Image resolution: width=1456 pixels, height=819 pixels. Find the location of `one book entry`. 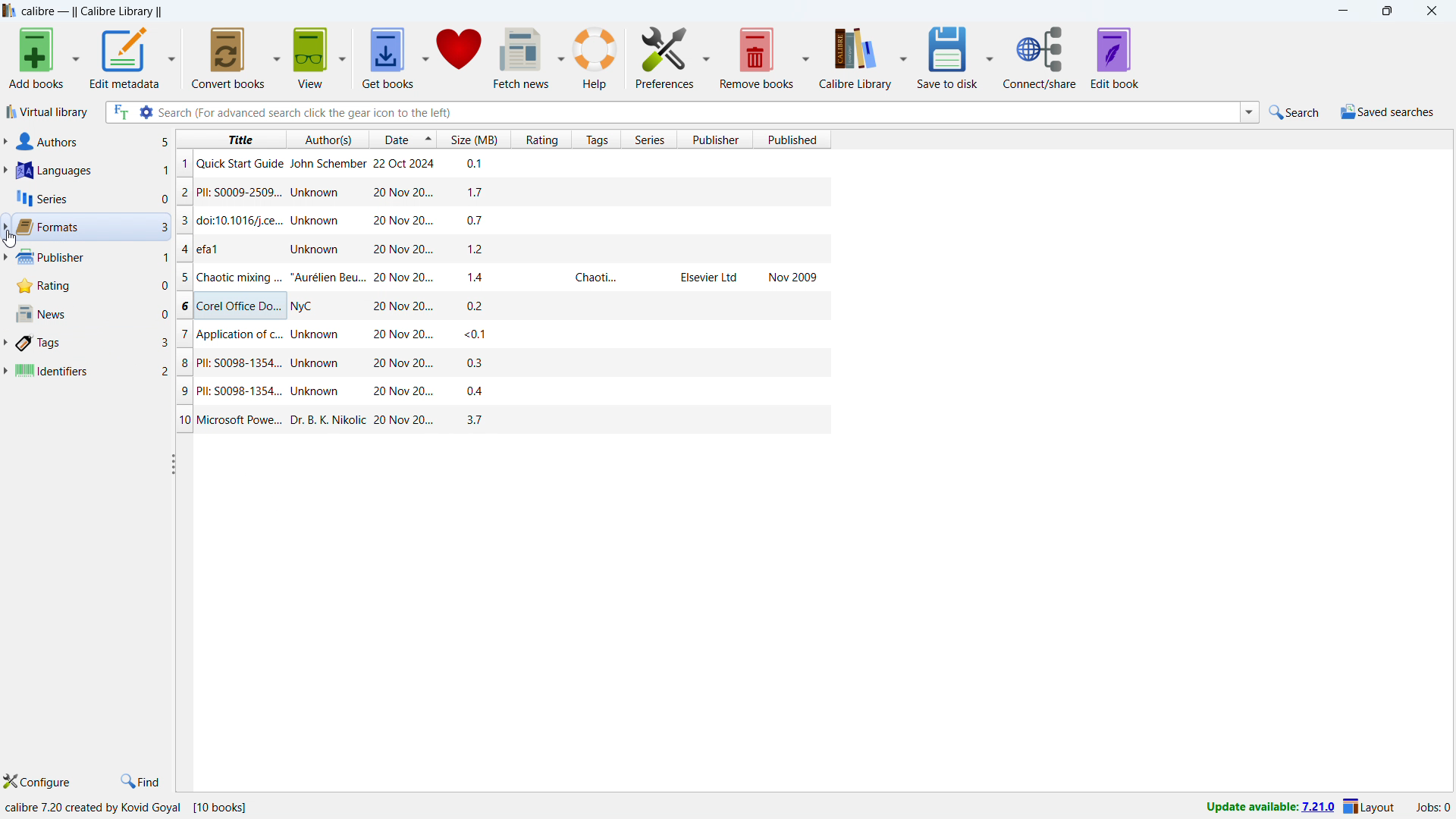

one book entry is located at coordinates (499, 277).